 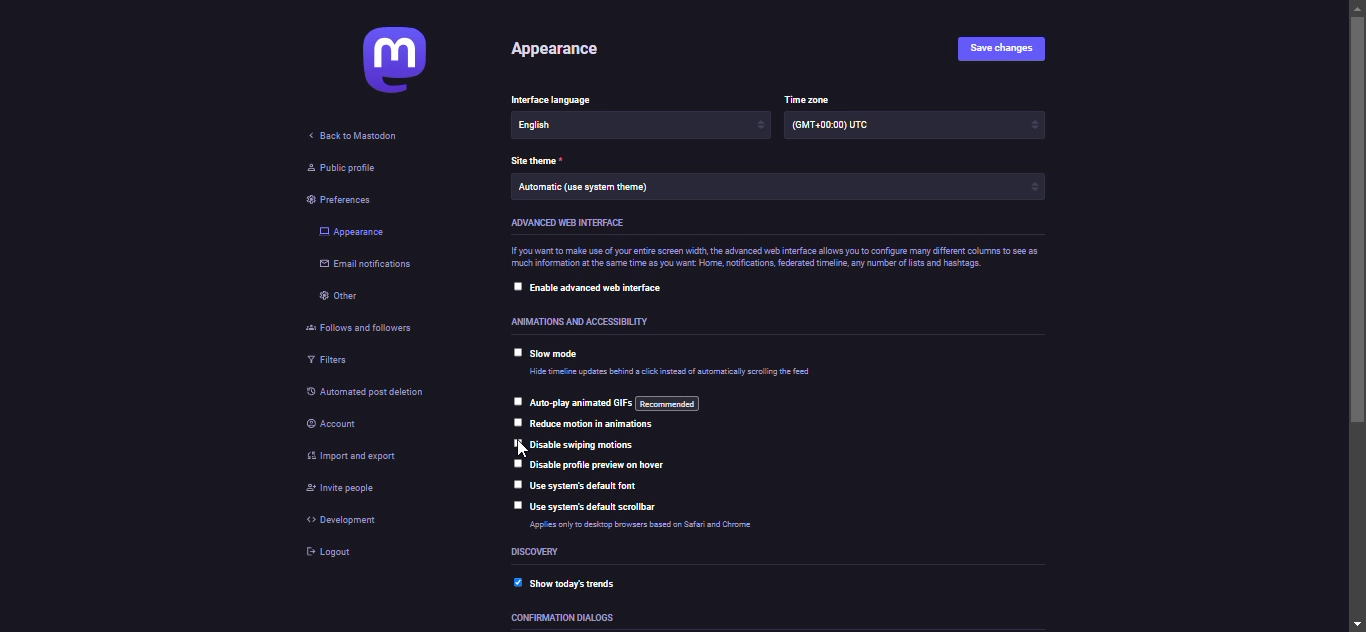 I want to click on time zone, so click(x=810, y=97).